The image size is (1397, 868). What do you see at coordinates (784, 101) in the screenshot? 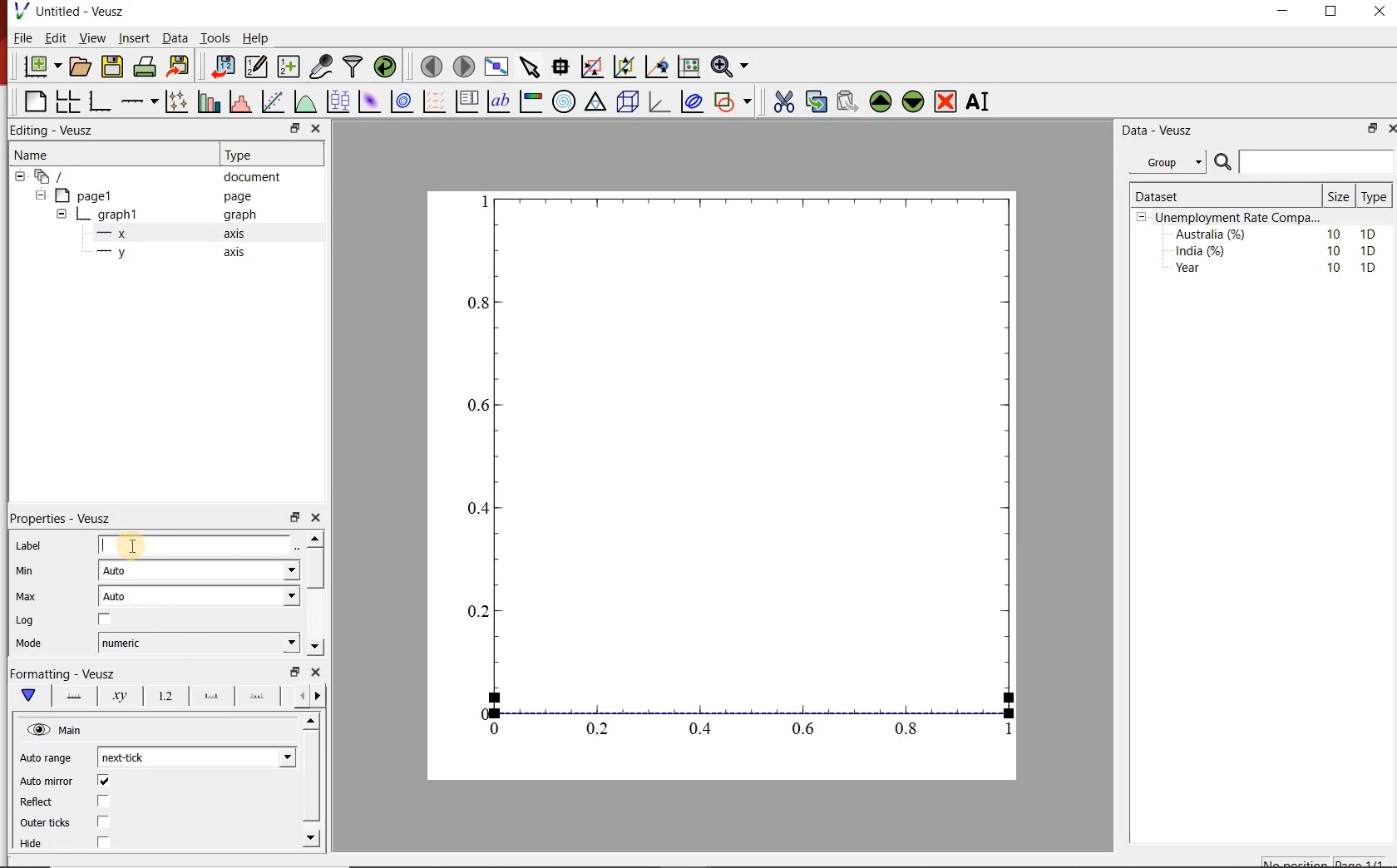
I see `cut the widgets` at bounding box center [784, 101].